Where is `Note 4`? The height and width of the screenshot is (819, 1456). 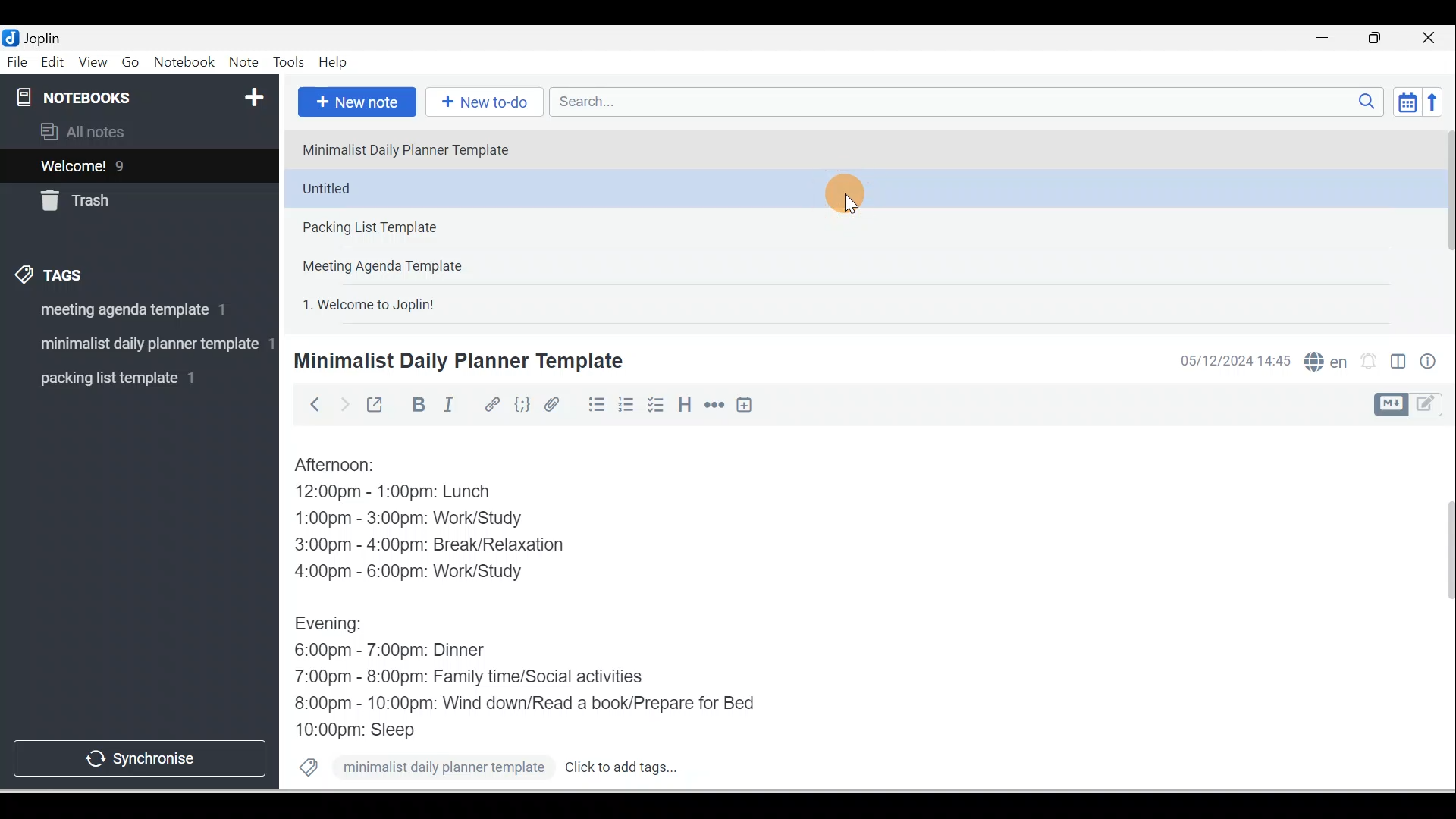 Note 4 is located at coordinates (403, 262).